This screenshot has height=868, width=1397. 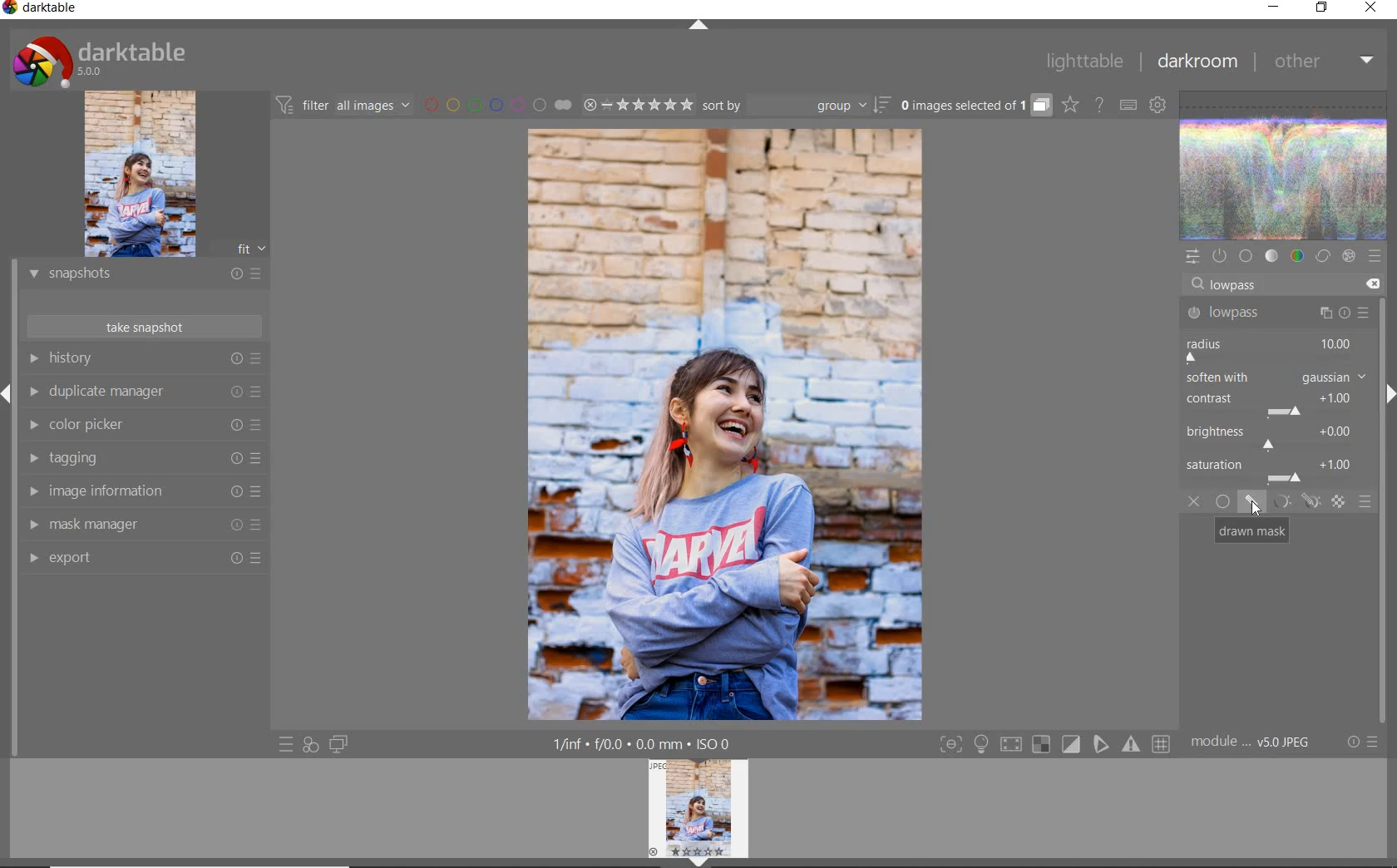 What do you see at coordinates (726, 427) in the screenshot?
I see `selected image` at bounding box center [726, 427].